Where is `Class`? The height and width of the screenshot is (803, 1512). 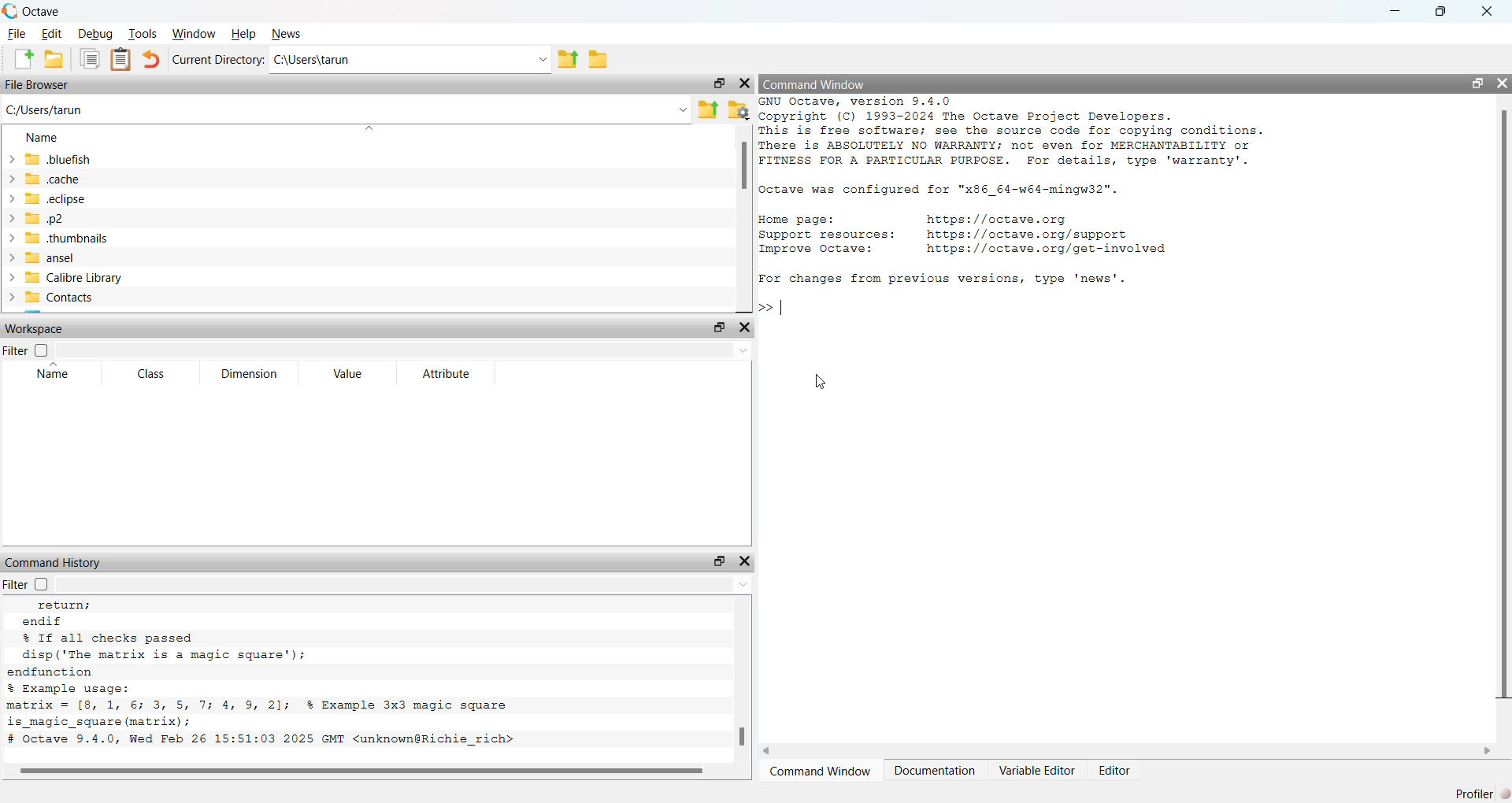
Class is located at coordinates (152, 374).